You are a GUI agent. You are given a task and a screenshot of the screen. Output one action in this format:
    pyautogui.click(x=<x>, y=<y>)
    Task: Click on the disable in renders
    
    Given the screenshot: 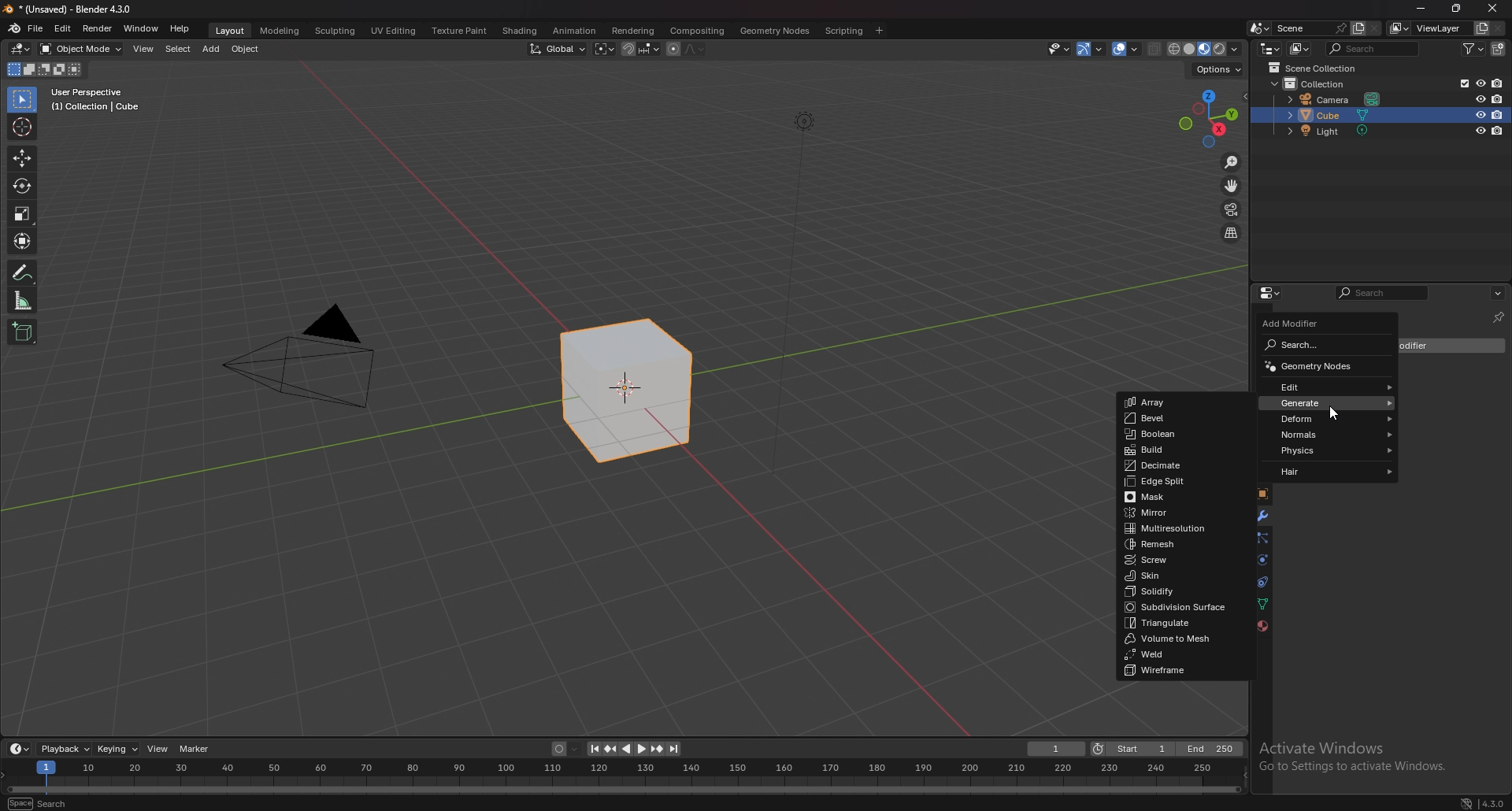 What is the action you would take?
    pyautogui.click(x=1497, y=114)
    